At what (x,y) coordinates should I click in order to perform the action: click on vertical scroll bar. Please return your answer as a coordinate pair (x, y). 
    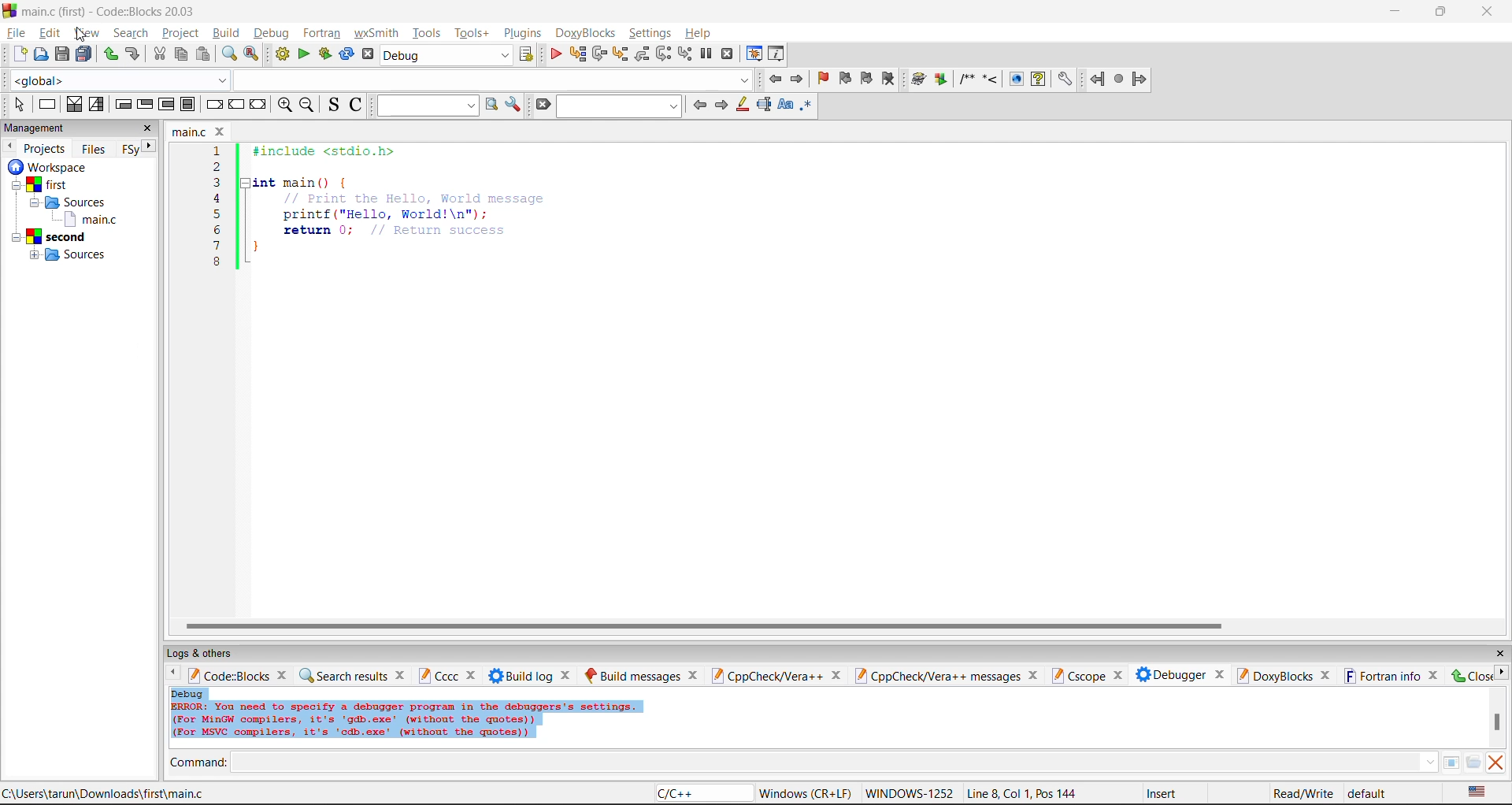
    Looking at the image, I should click on (1497, 724).